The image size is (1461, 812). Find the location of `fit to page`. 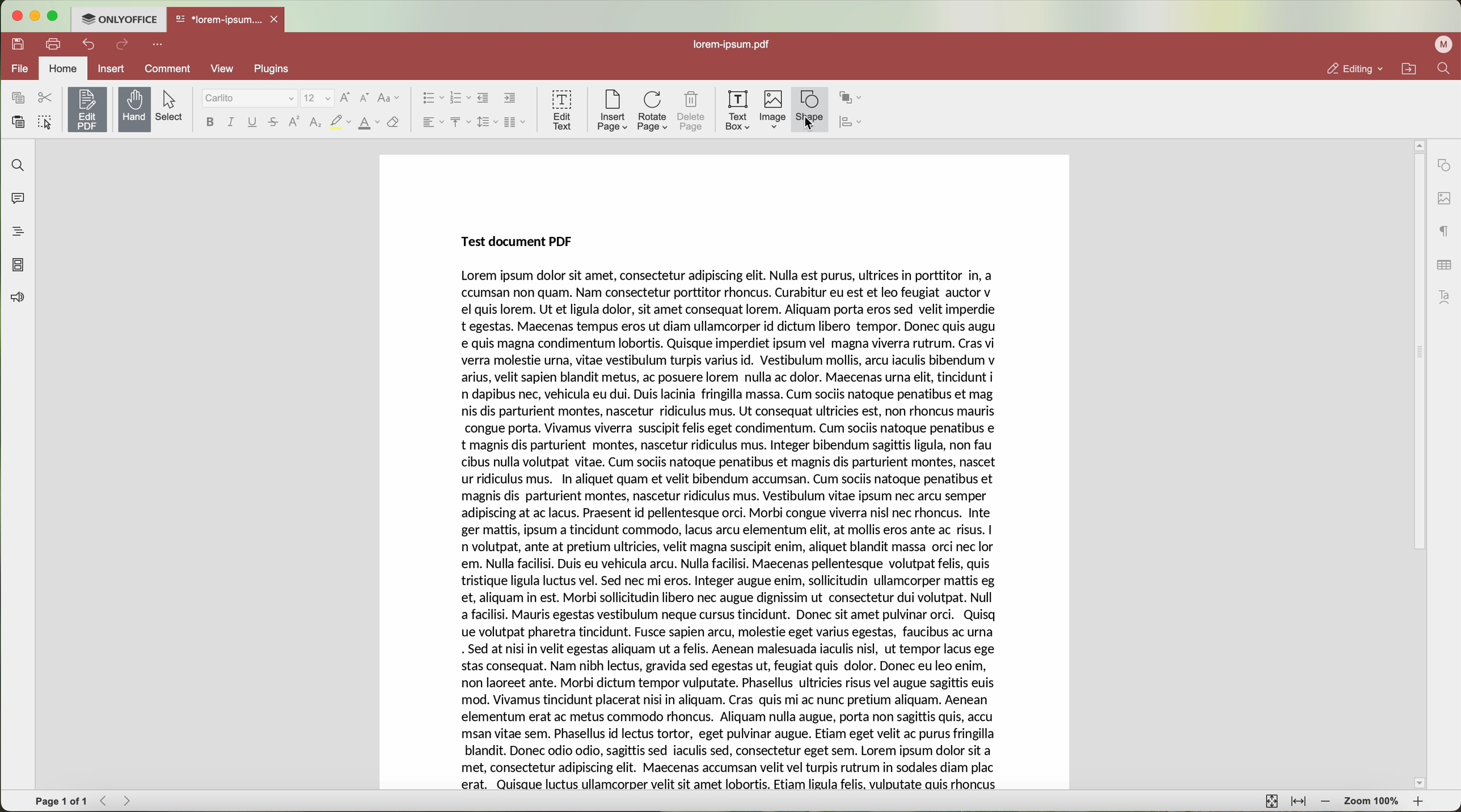

fit to page is located at coordinates (1270, 801).